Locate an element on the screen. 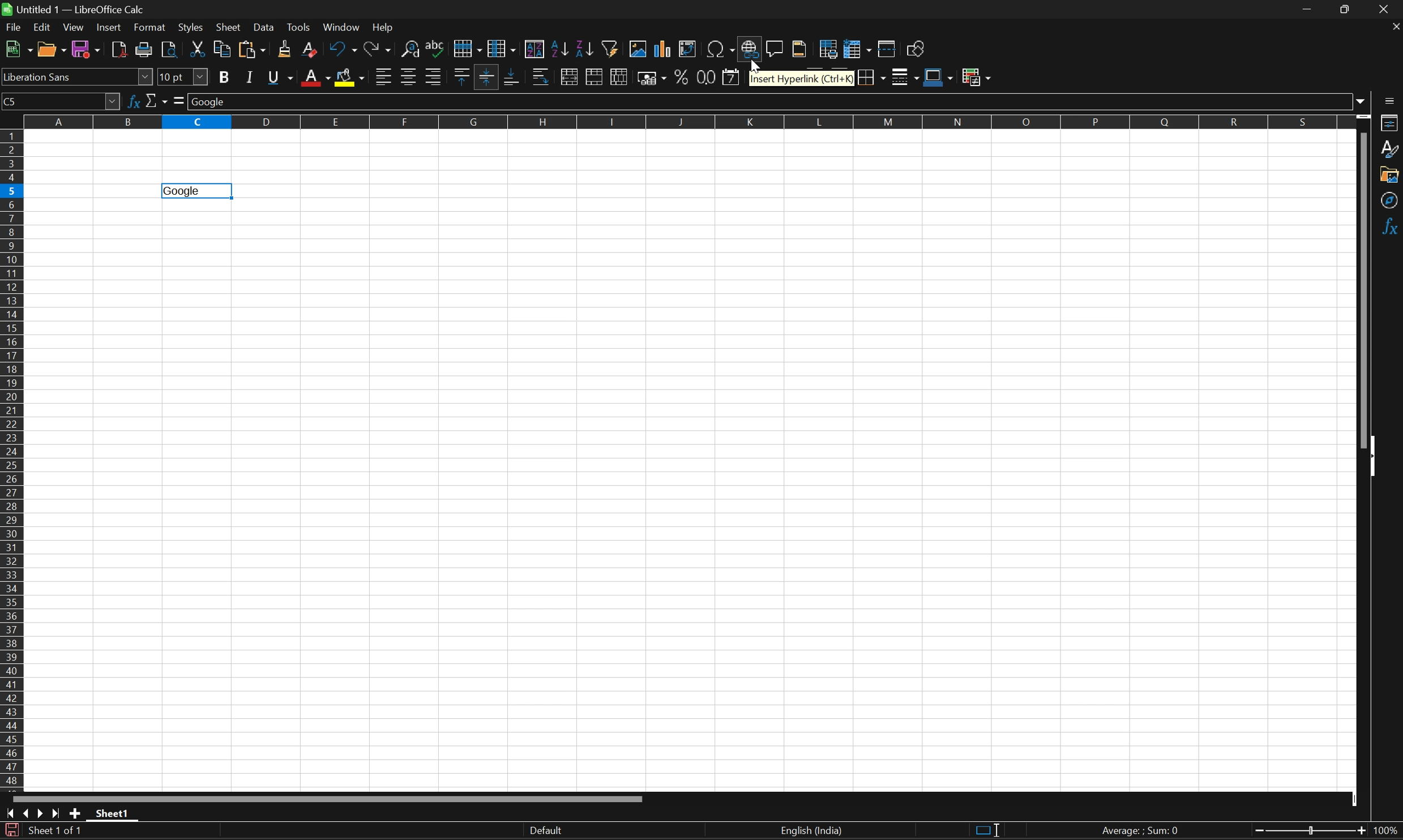 The width and height of the screenshot is (1403, 840). Merge and center or unmerge cells depending on the current toggle state is located at coordinates (572, 76).